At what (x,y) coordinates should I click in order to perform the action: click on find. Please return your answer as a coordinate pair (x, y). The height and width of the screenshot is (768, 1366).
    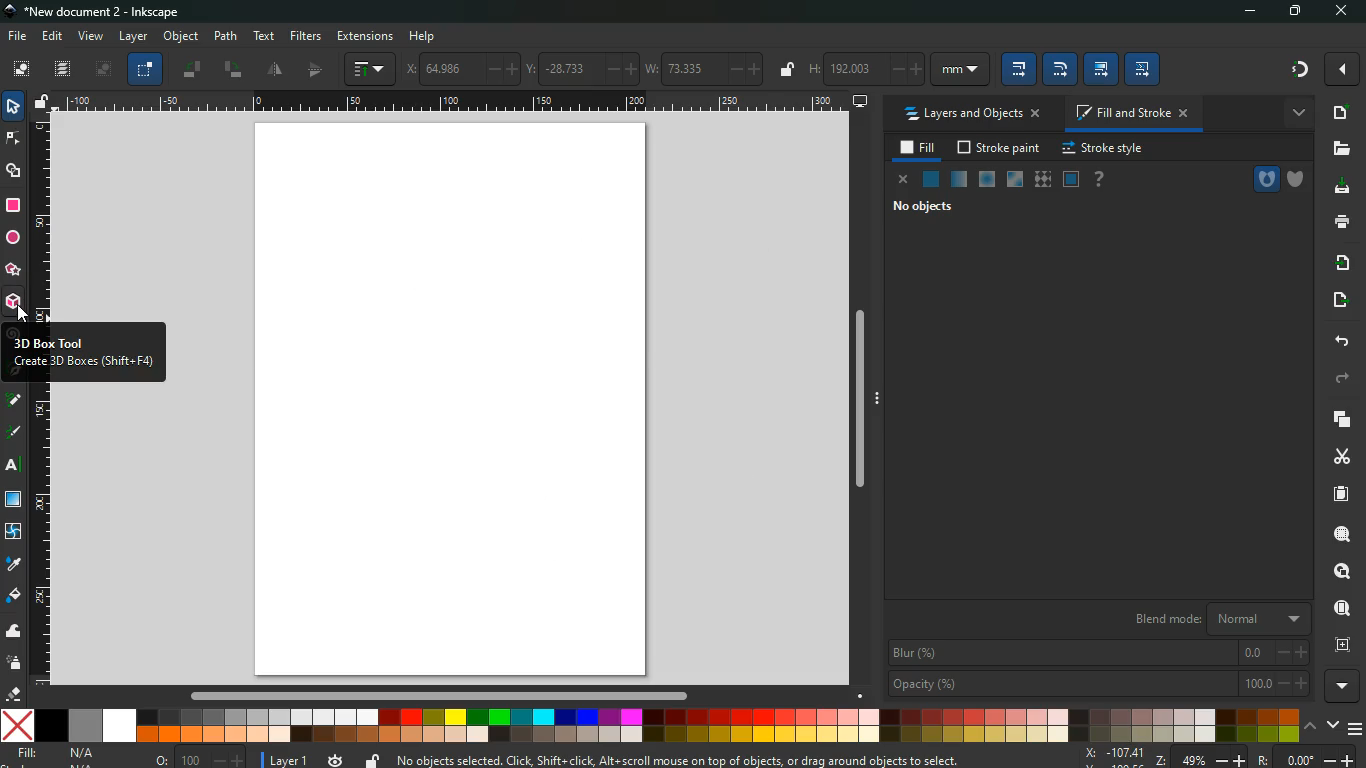
    Looking at the image, I should click on (1340, 609).